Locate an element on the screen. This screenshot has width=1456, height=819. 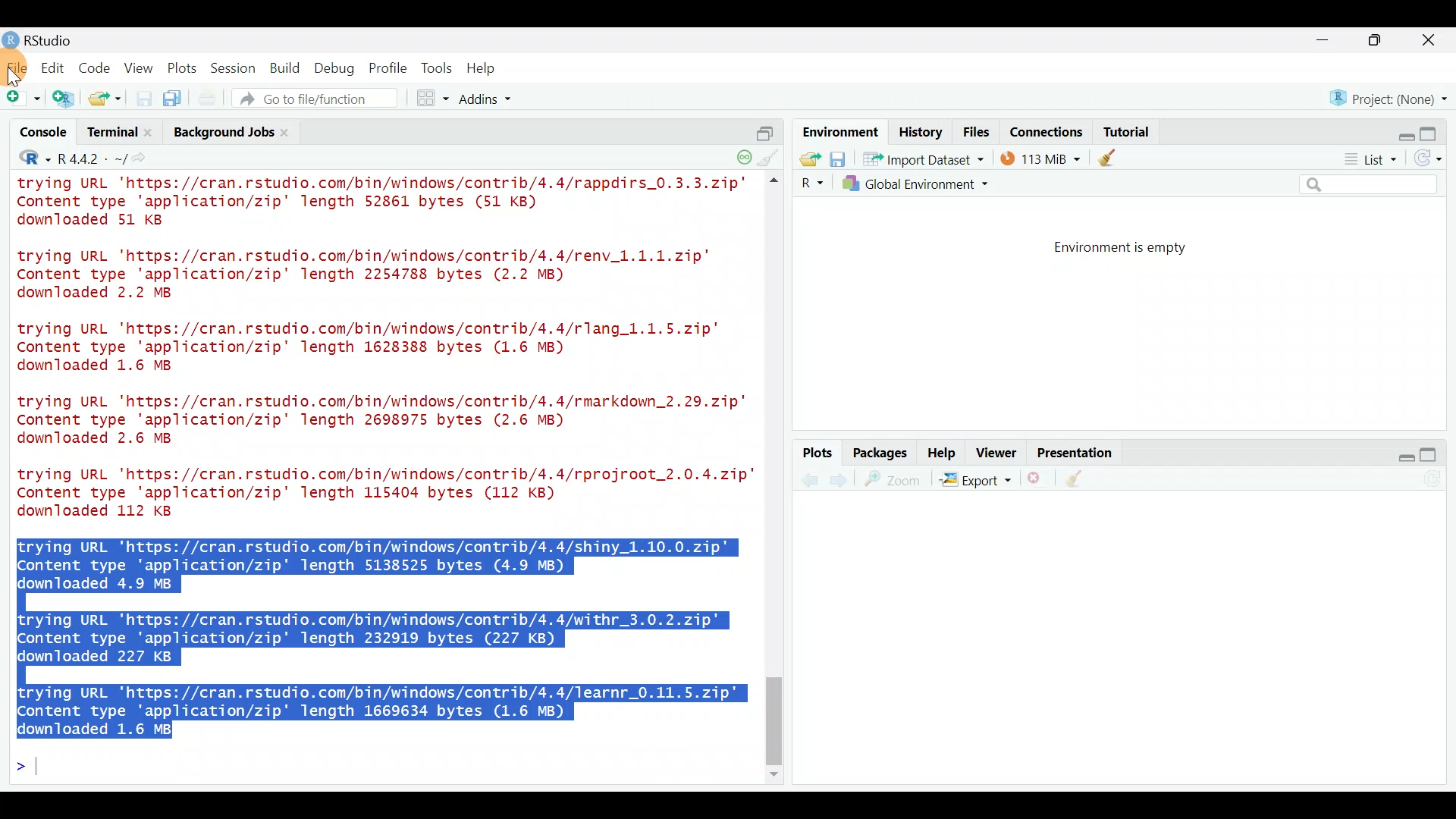
scroll bar is located at coordinates (777, 479).